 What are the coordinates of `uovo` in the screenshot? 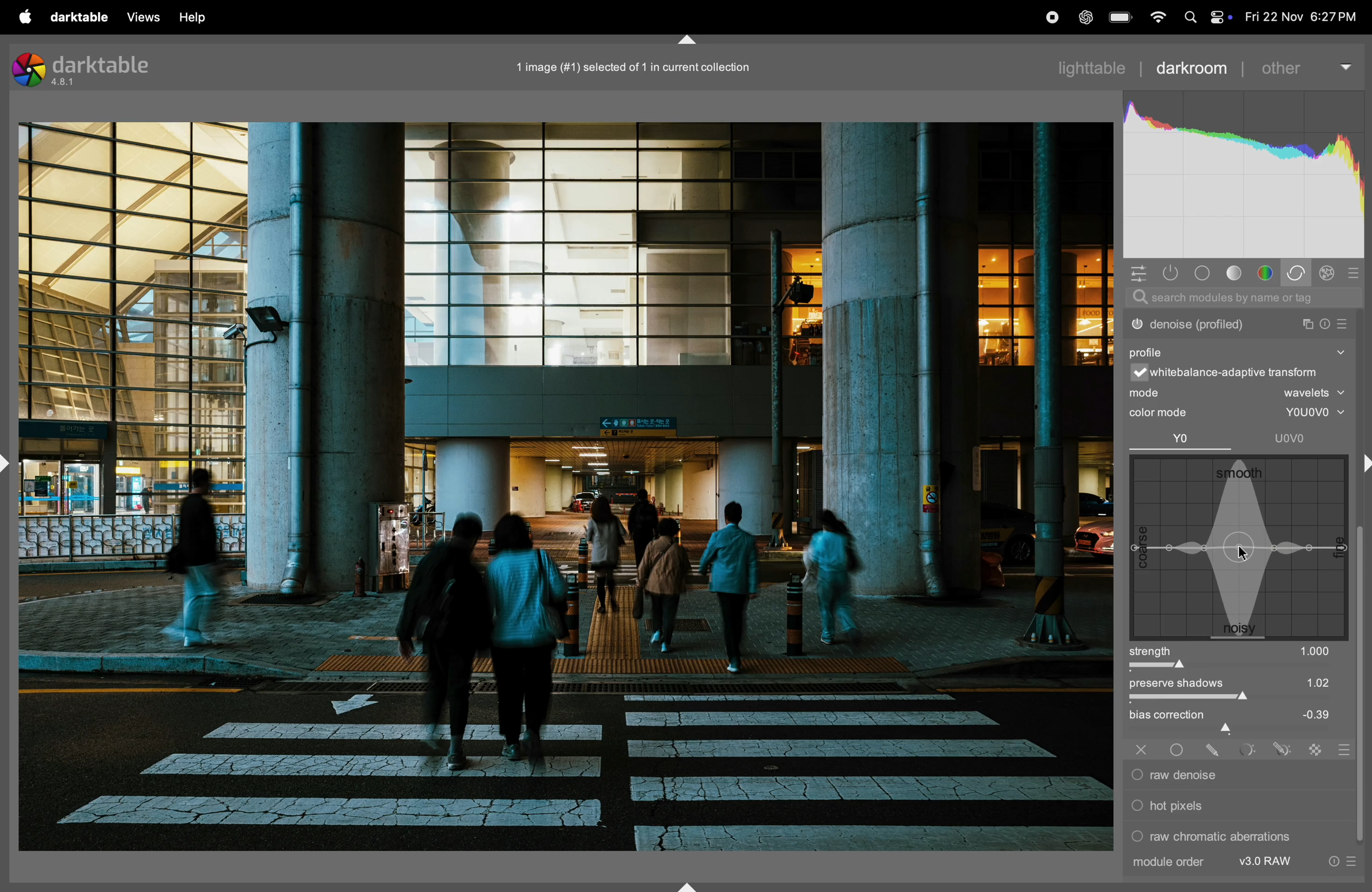 It's located at (1282, 440).